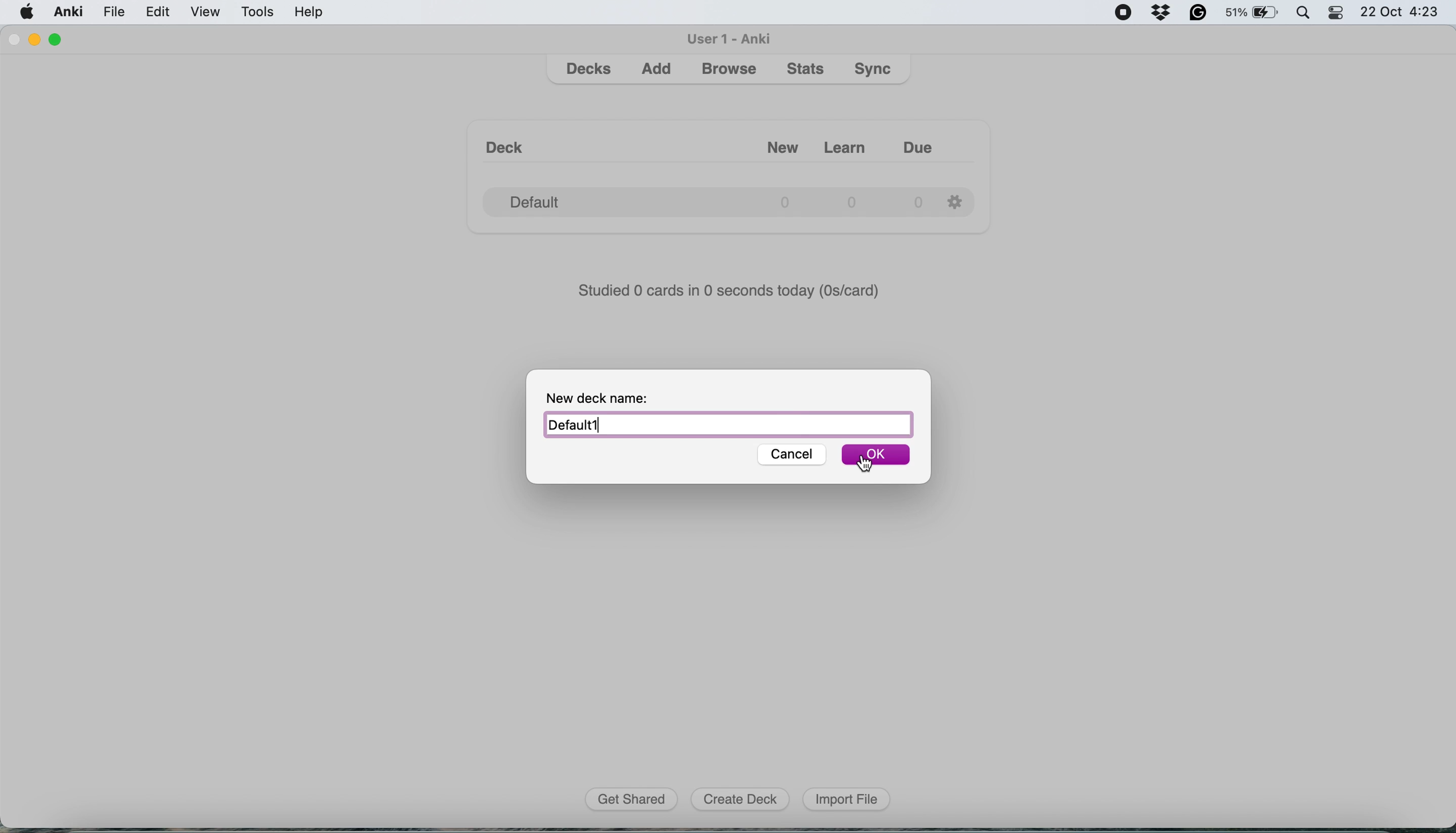 This screenshot has height=833, width=1456. Describe the element at coordinates (309, 14) in the screenshot. I see `help` at that location.